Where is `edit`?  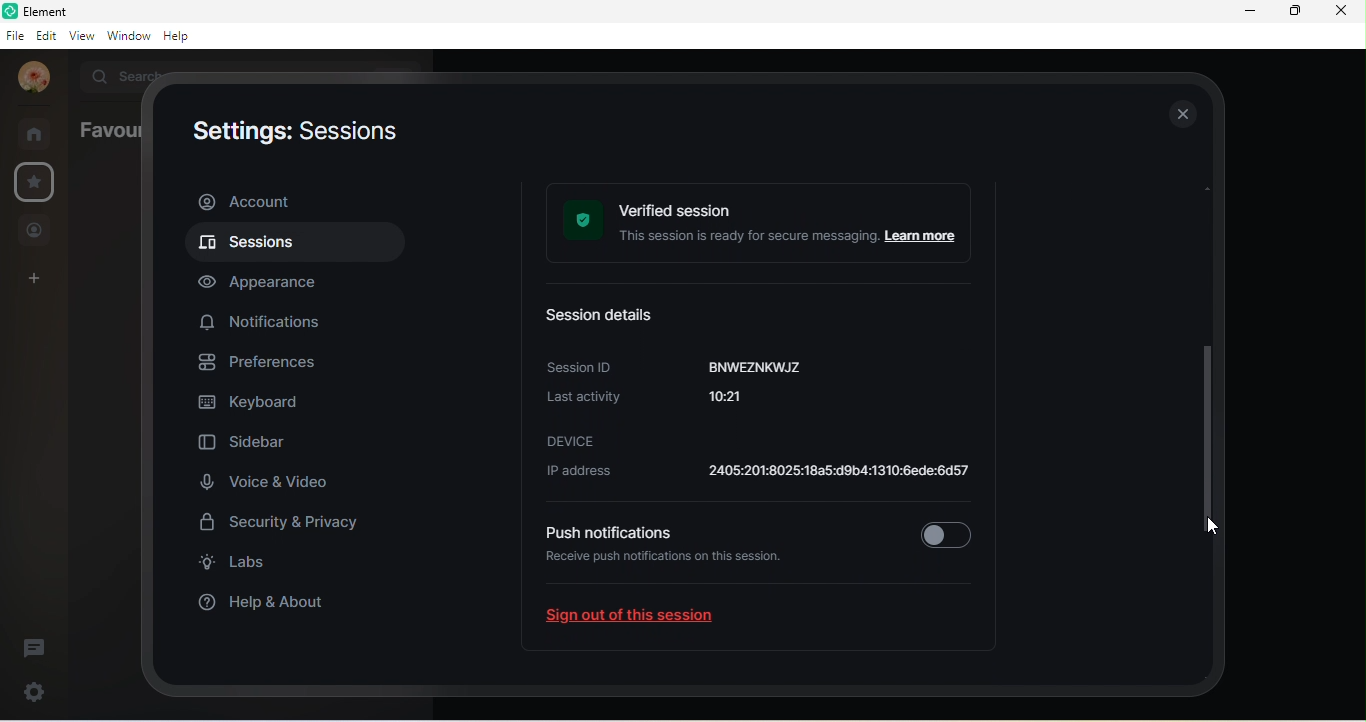
edit is located at coordinates (47, 35).